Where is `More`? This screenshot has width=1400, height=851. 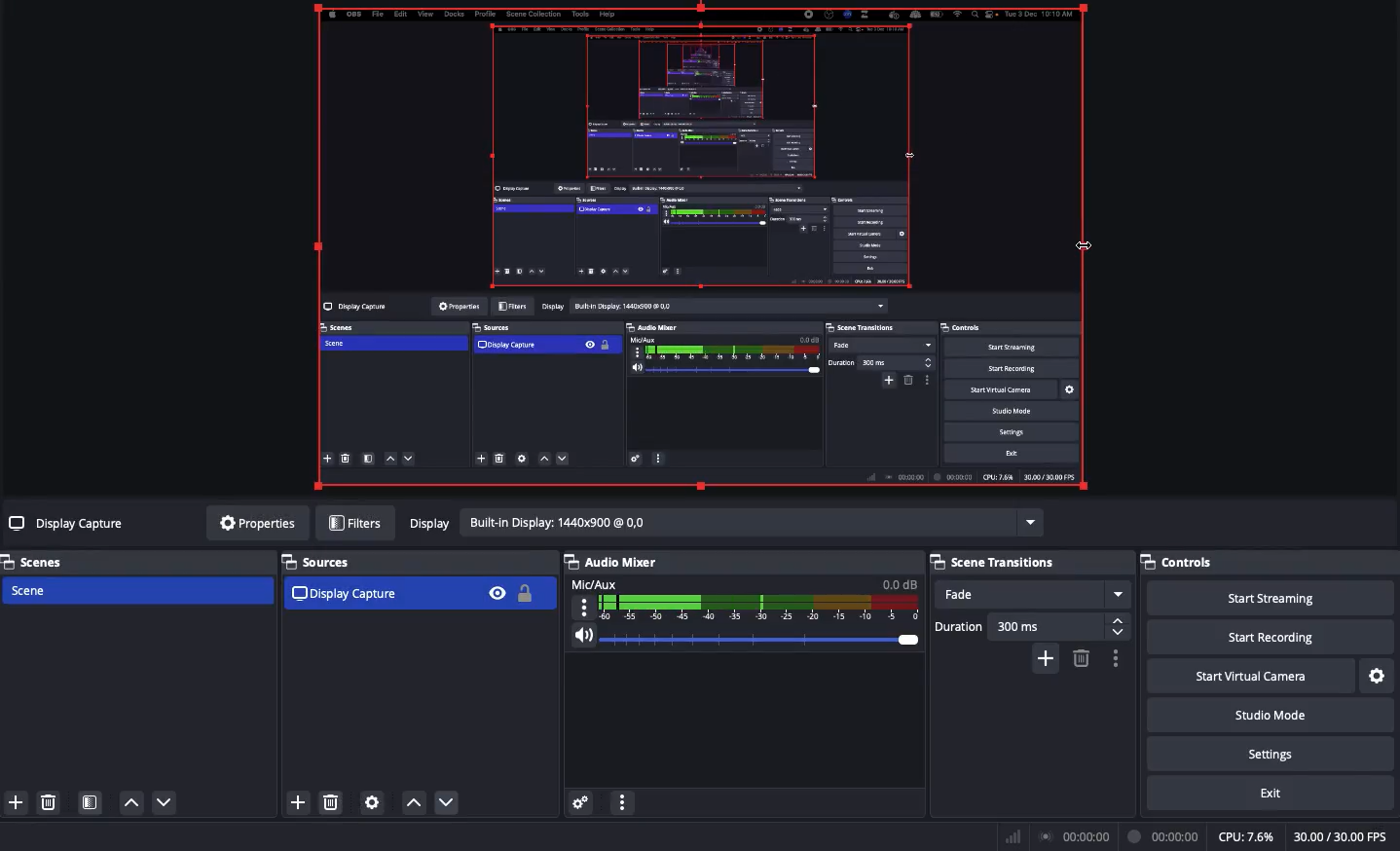
More is located at coordinates (621, 805).